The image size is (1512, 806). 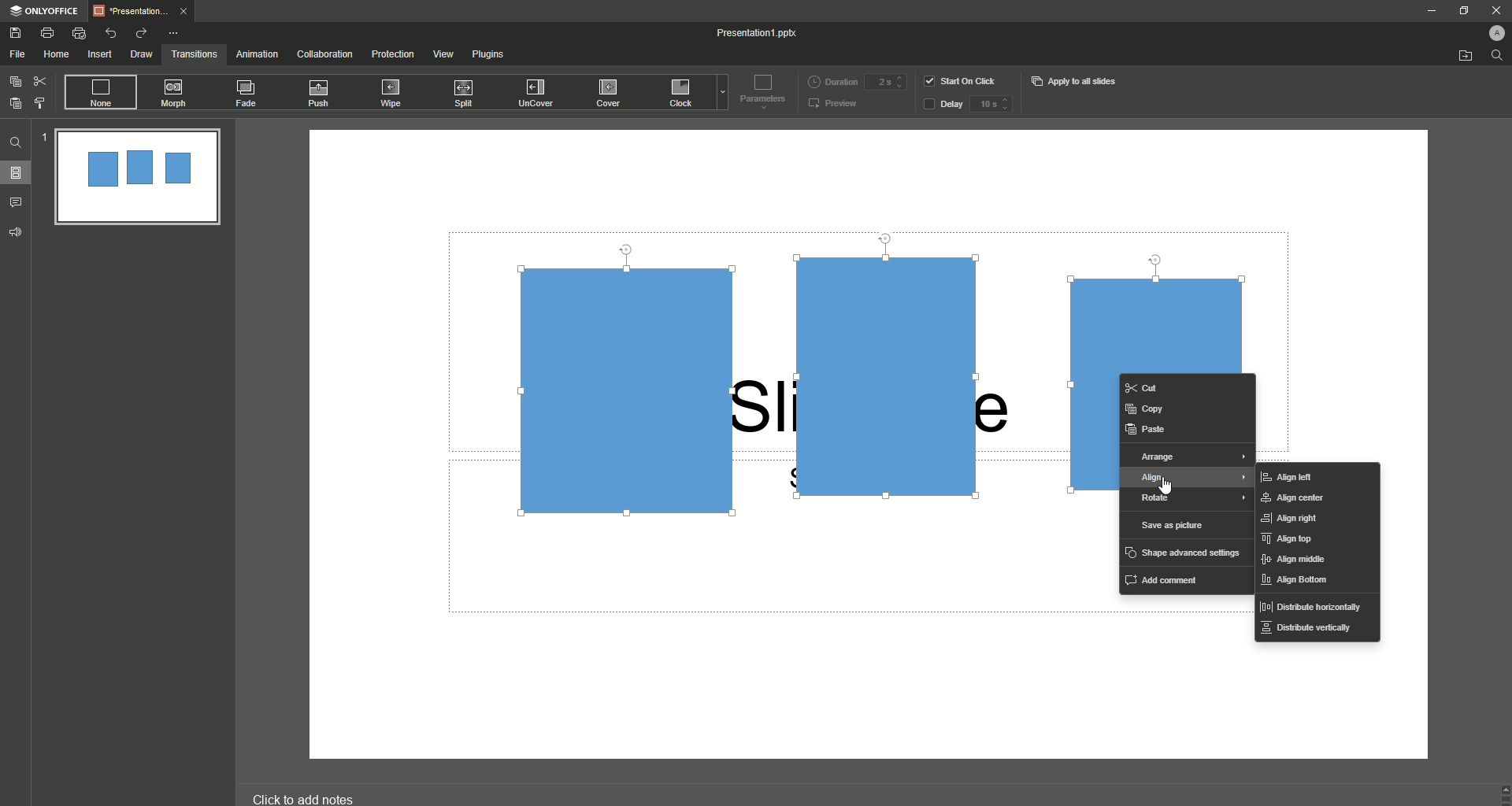 What do you see at coordinates (1168, 485) in the screenshot?
I see `pointer cursor` at bounding box center [1168, 485].